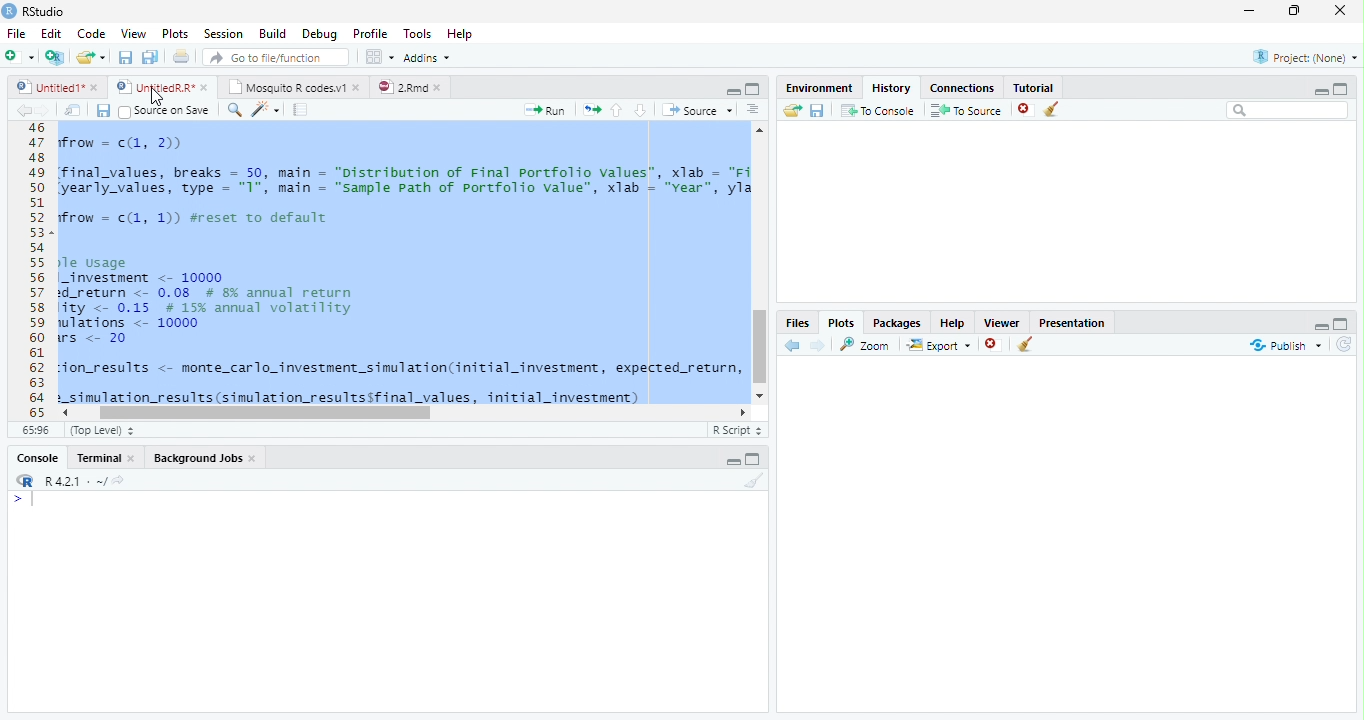  I want to click on Console, so click(387, 601).